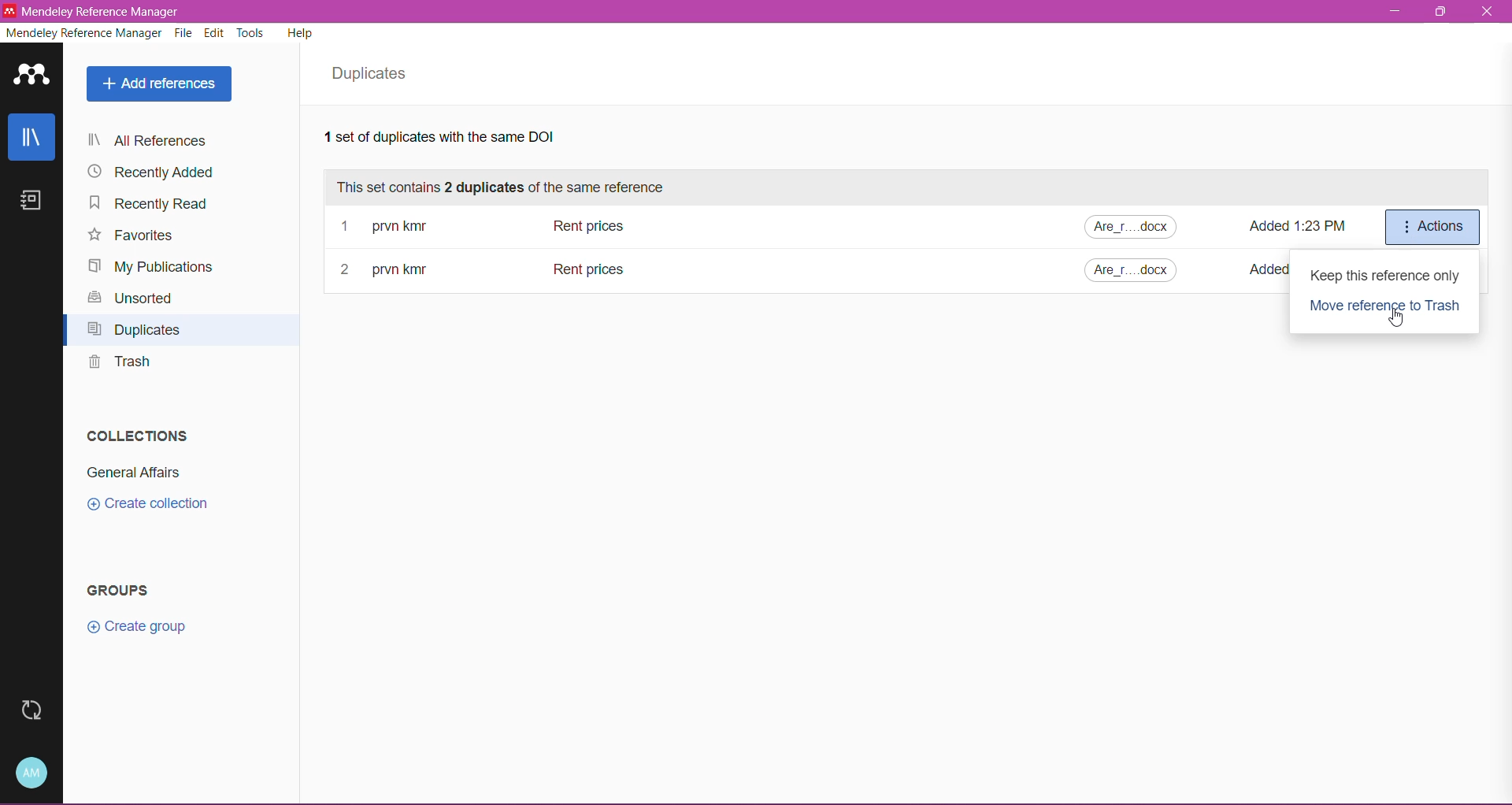 This screenshot has height=805, width=1512. What do you see at coordinates (588, 224) in the screenshot?
I see `Duplicate Item titles` at bounding box center [588, 224].